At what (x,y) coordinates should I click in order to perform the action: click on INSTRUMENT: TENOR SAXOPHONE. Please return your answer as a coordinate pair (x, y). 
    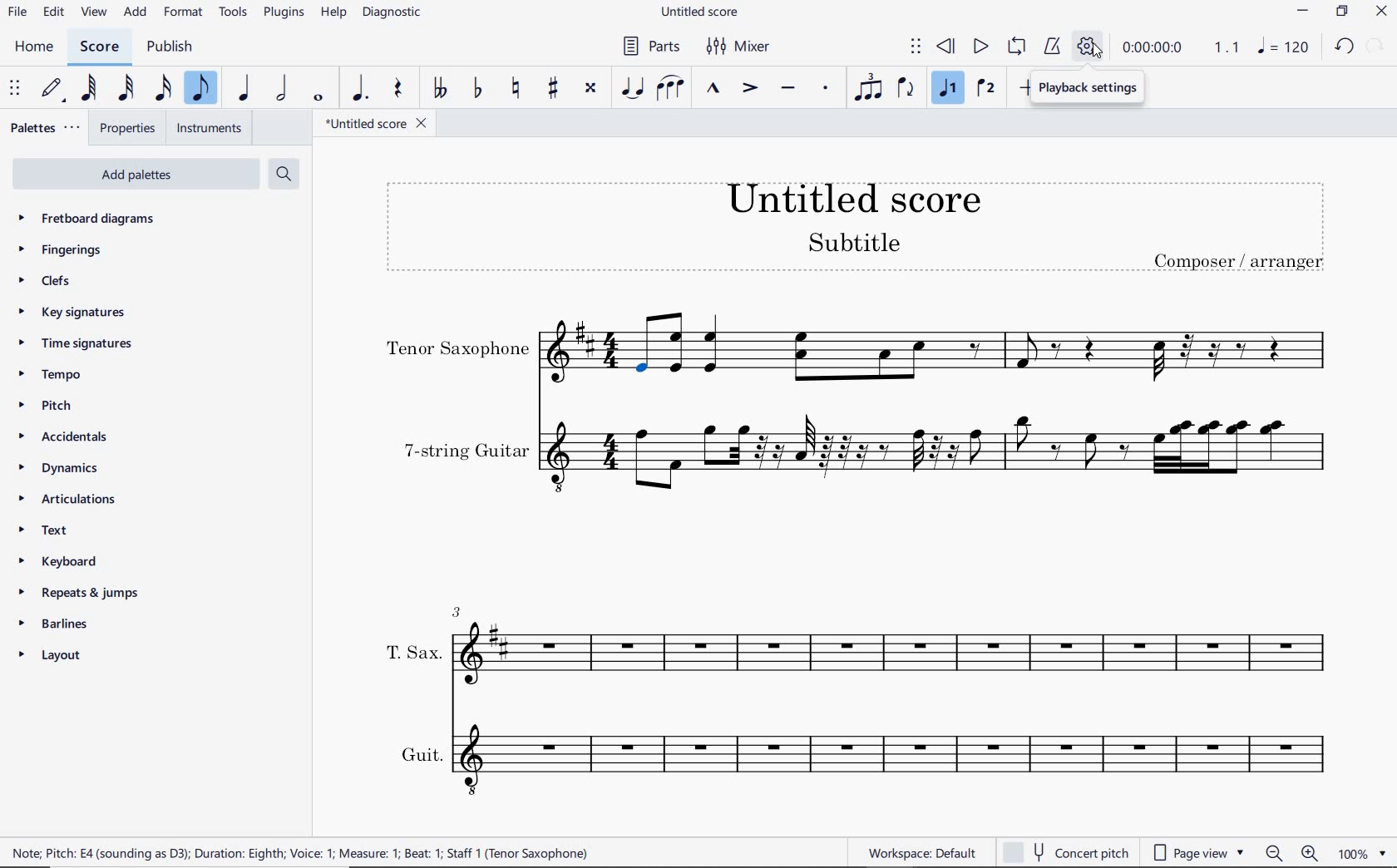
    Looking at the image, I should click on (500, 348).